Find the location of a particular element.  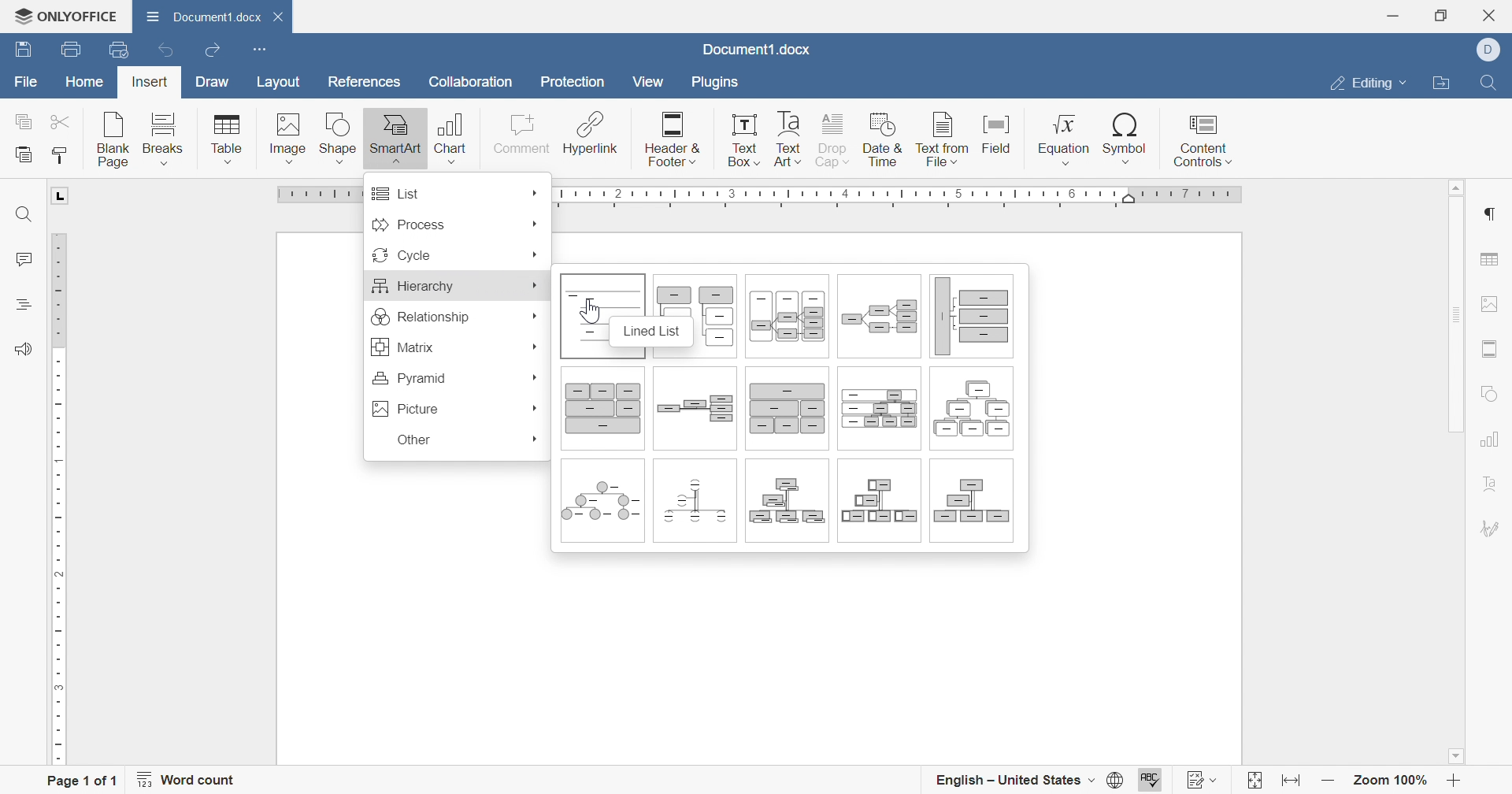

Text from file is located at coordinates (943, 141).